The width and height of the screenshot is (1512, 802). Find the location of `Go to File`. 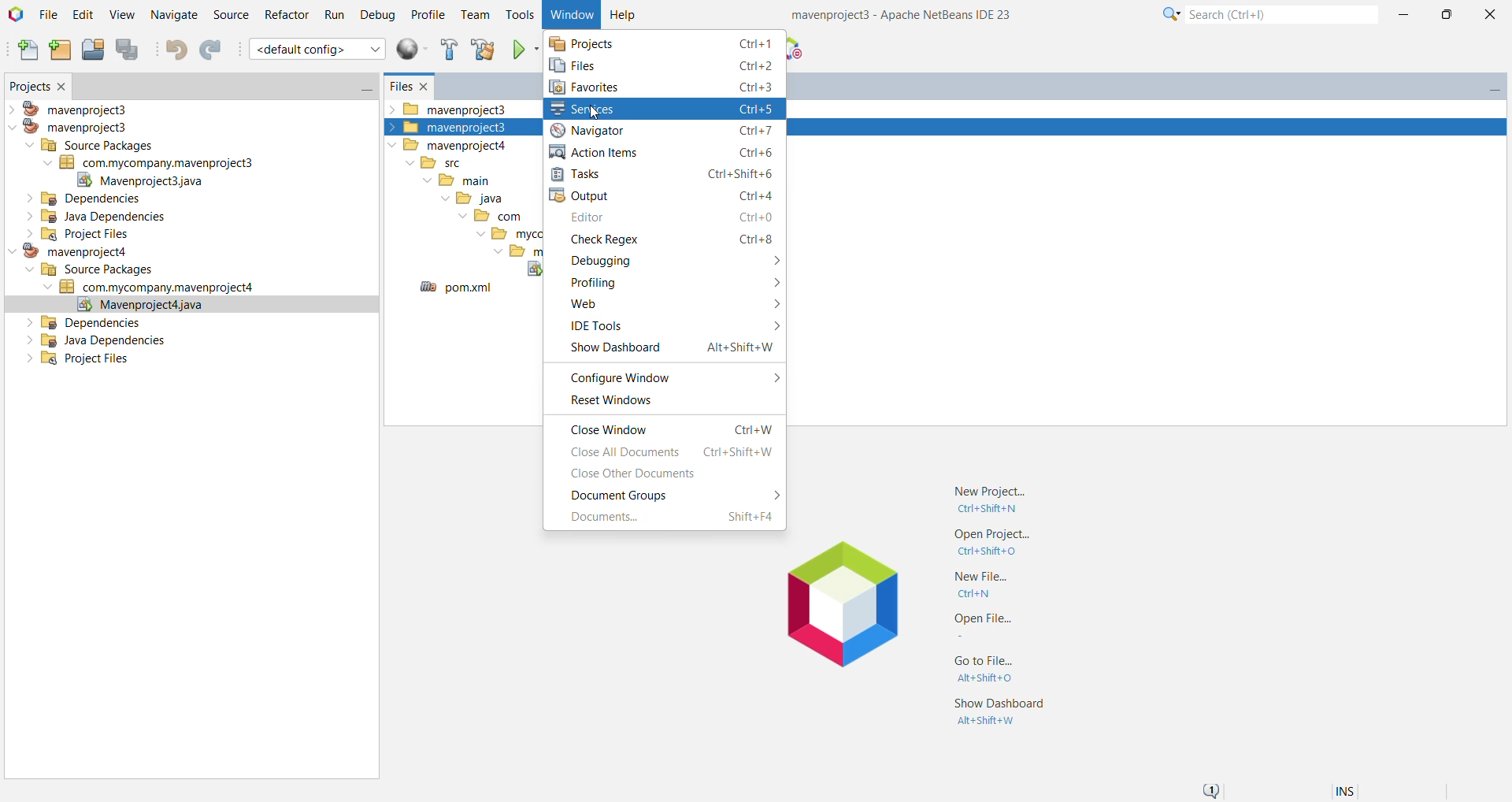

Go to File is located at coordinates (984, 667).